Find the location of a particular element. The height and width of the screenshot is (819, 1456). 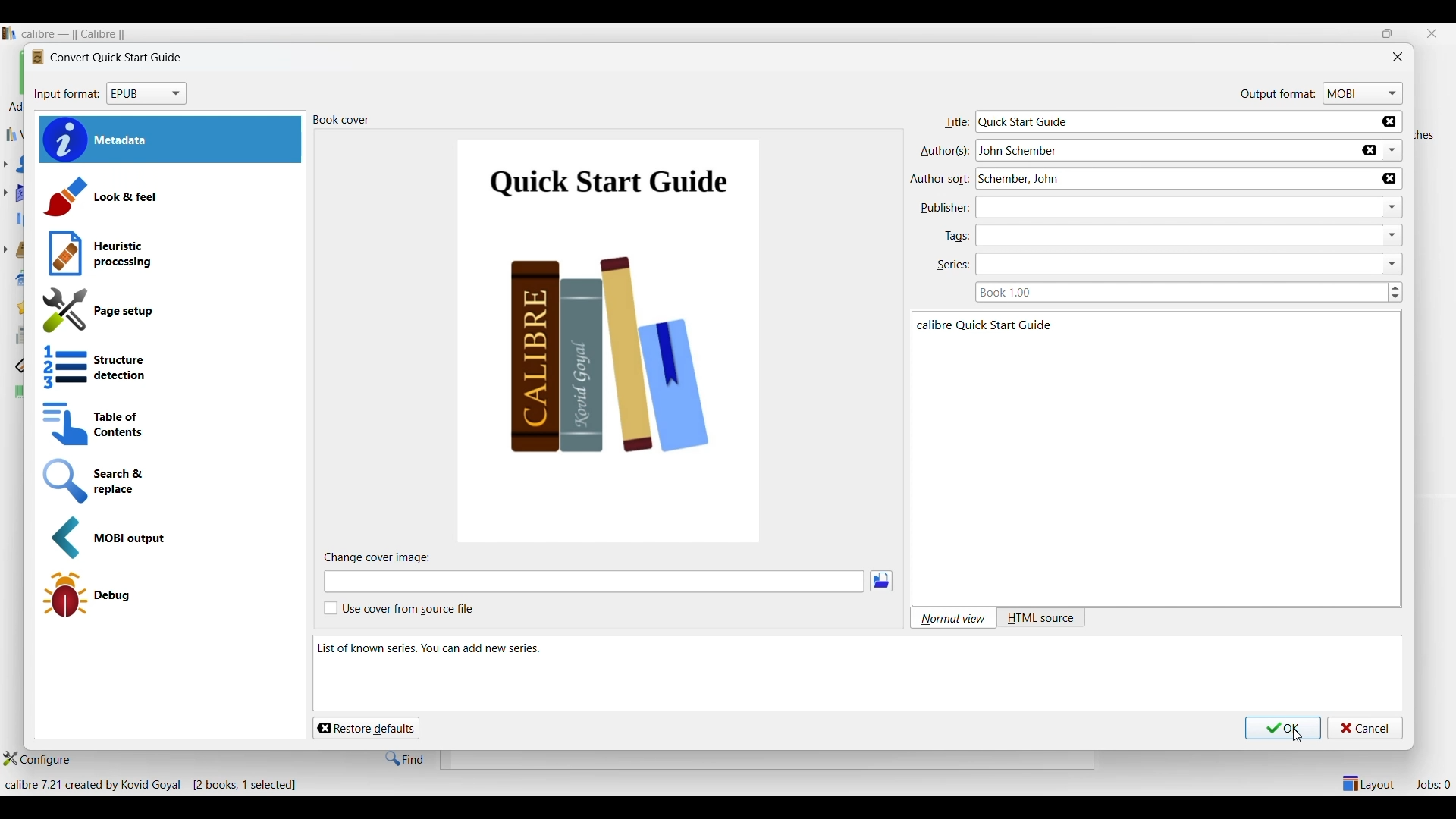

Cursor clicking on saving inputs is located at coordinates (1298, 736).